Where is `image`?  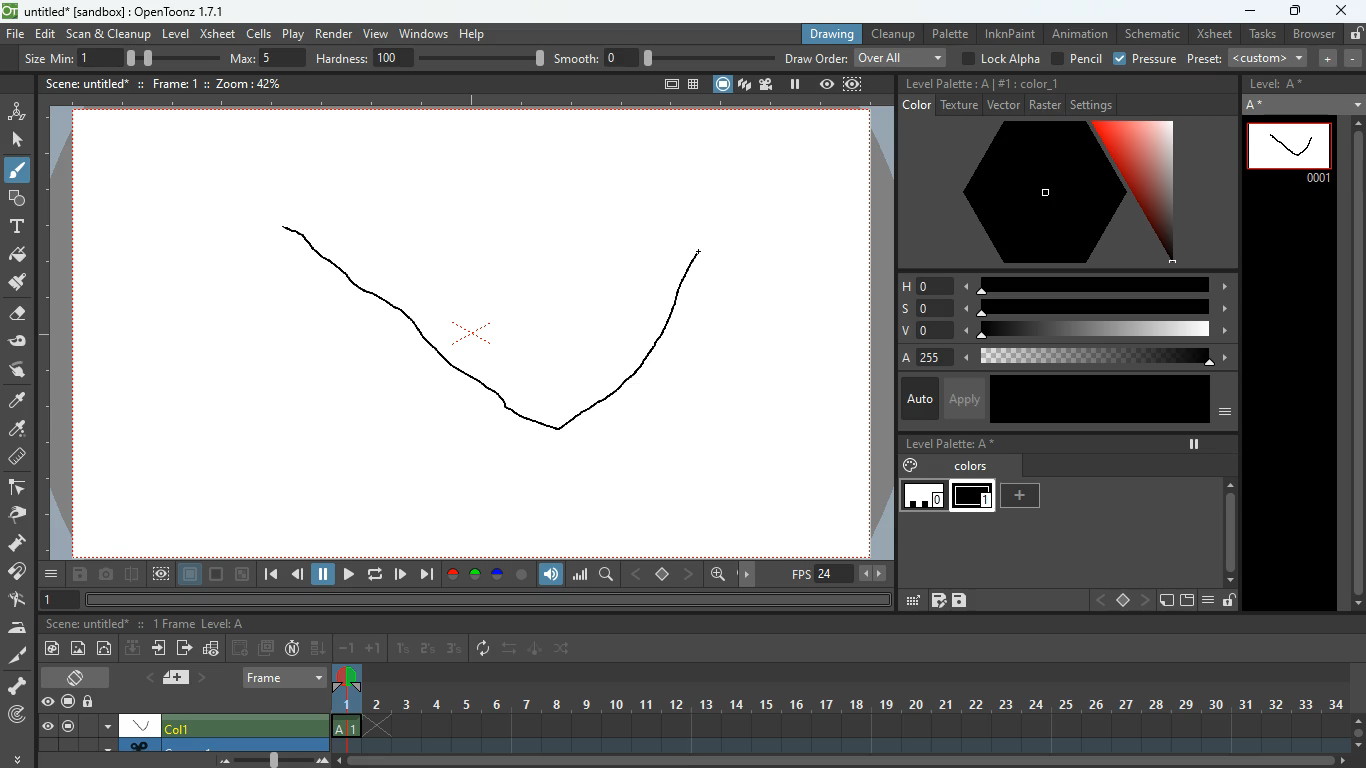
image is located at coordinates (79, 649).